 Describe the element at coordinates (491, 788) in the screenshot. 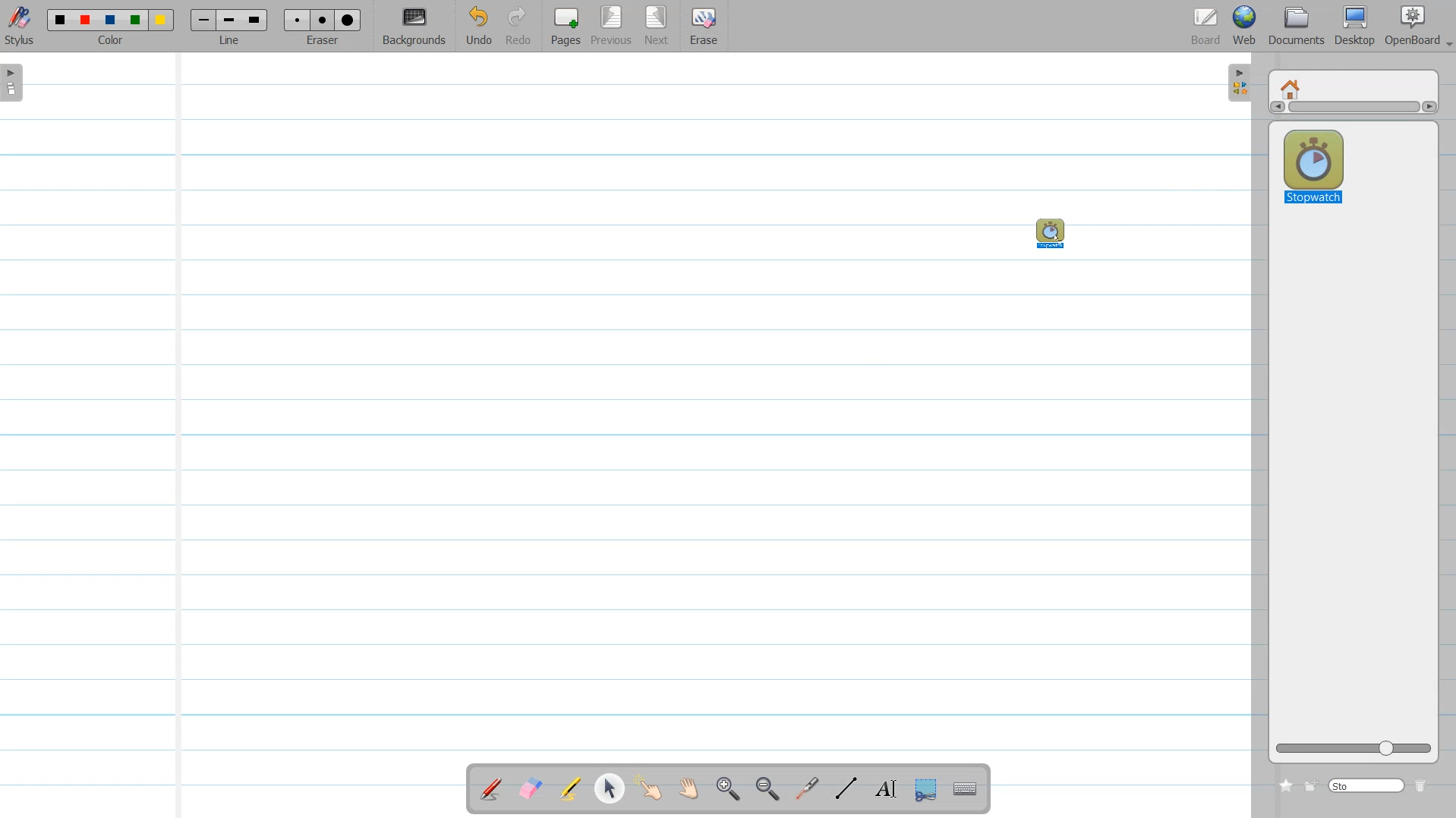

I see `Annotate a Document ` at that location.